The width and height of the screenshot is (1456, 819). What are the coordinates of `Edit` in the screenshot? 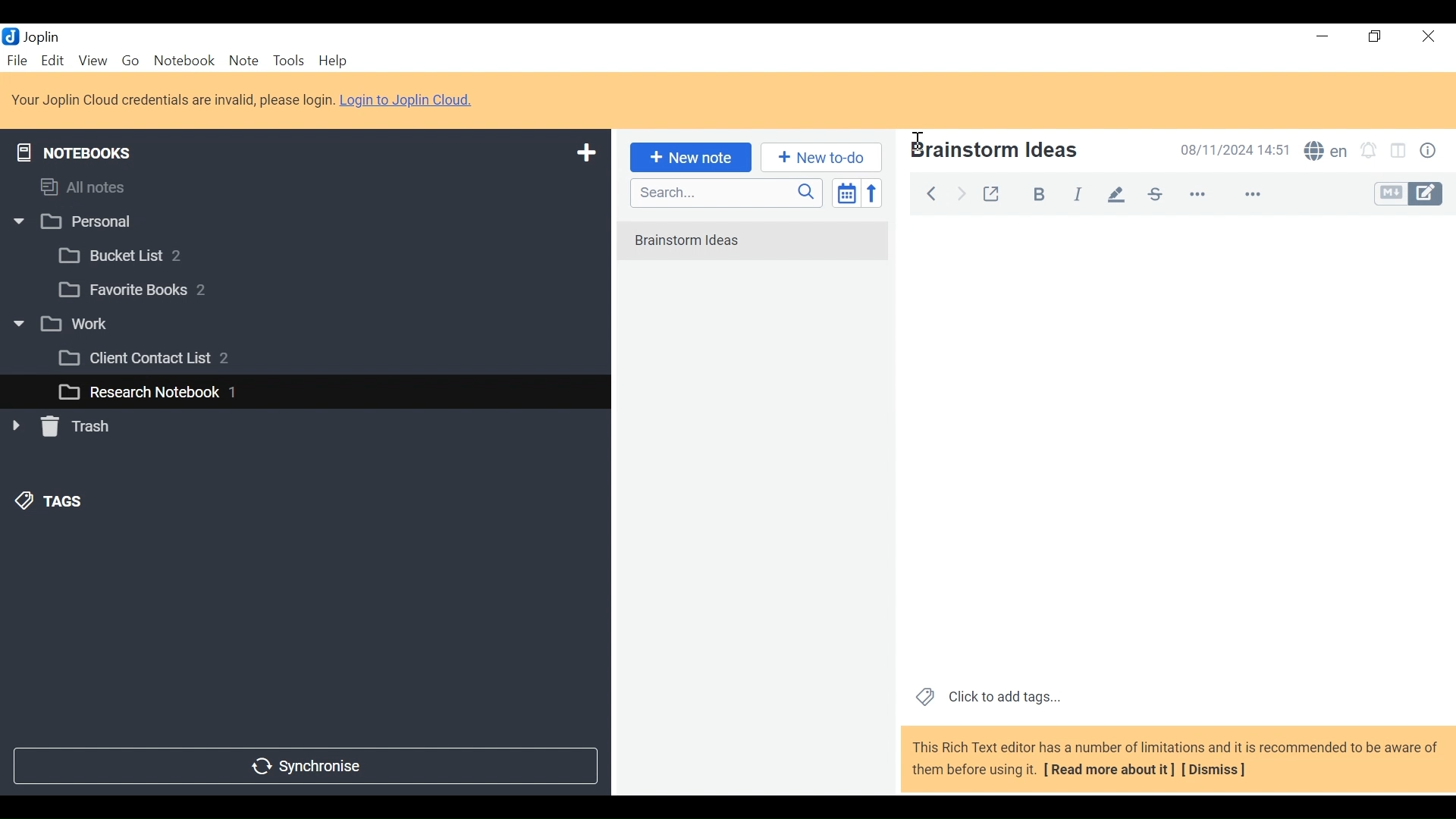 It's located at (54, 60).